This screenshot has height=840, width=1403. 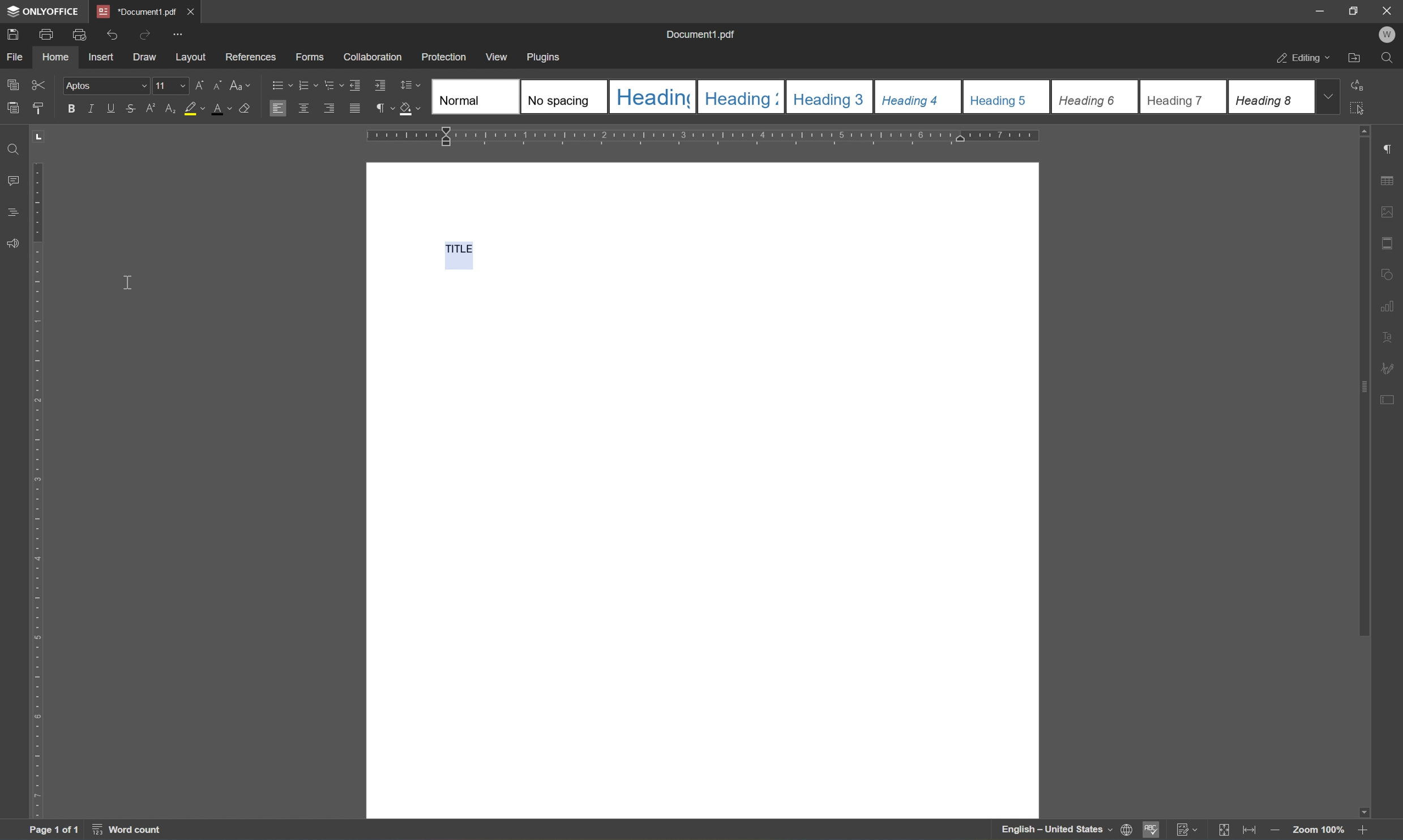 I want to click on find, so click(x=16, y=149).